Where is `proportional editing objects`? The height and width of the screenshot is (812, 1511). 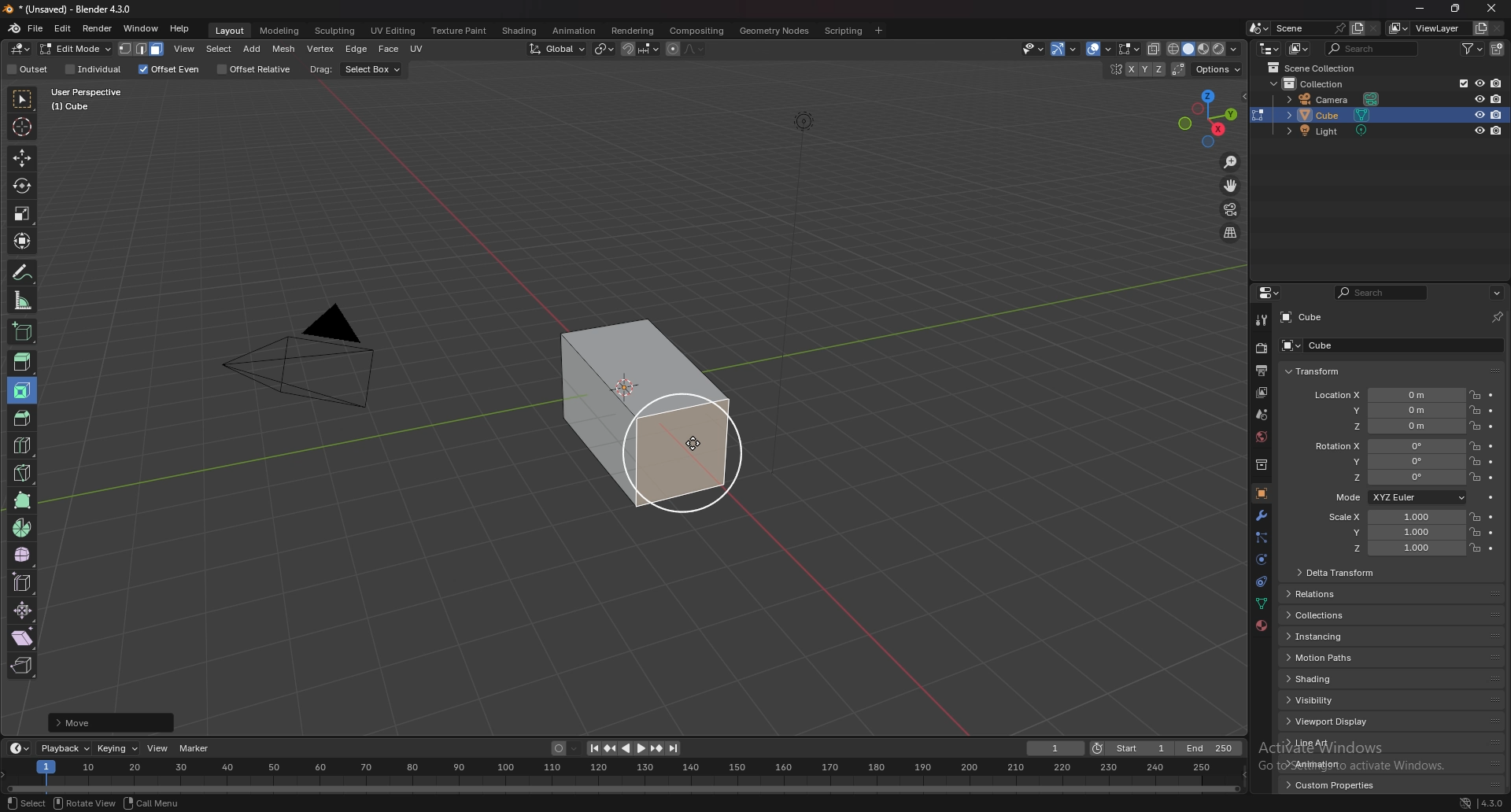
proportional editing objects is located at coordinates (672, 50).